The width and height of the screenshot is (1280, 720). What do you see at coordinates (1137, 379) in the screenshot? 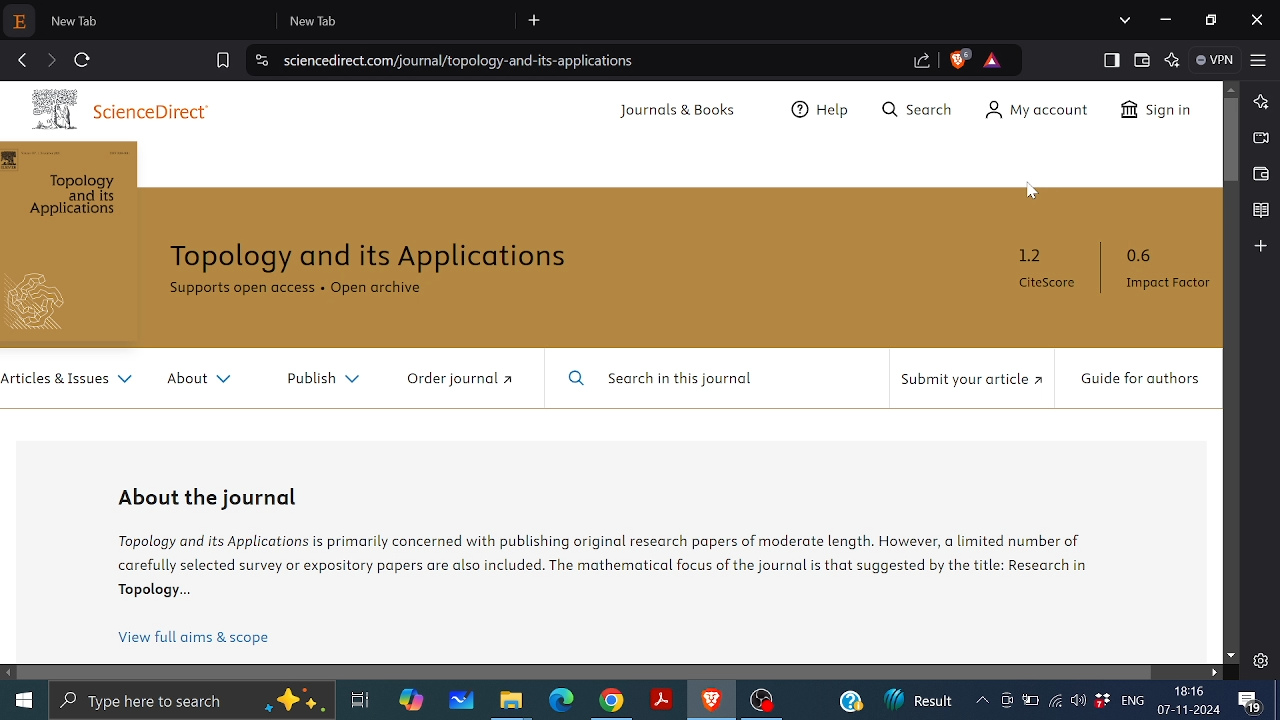
I see `Guide for authors` at bounding box center [1137, 379].